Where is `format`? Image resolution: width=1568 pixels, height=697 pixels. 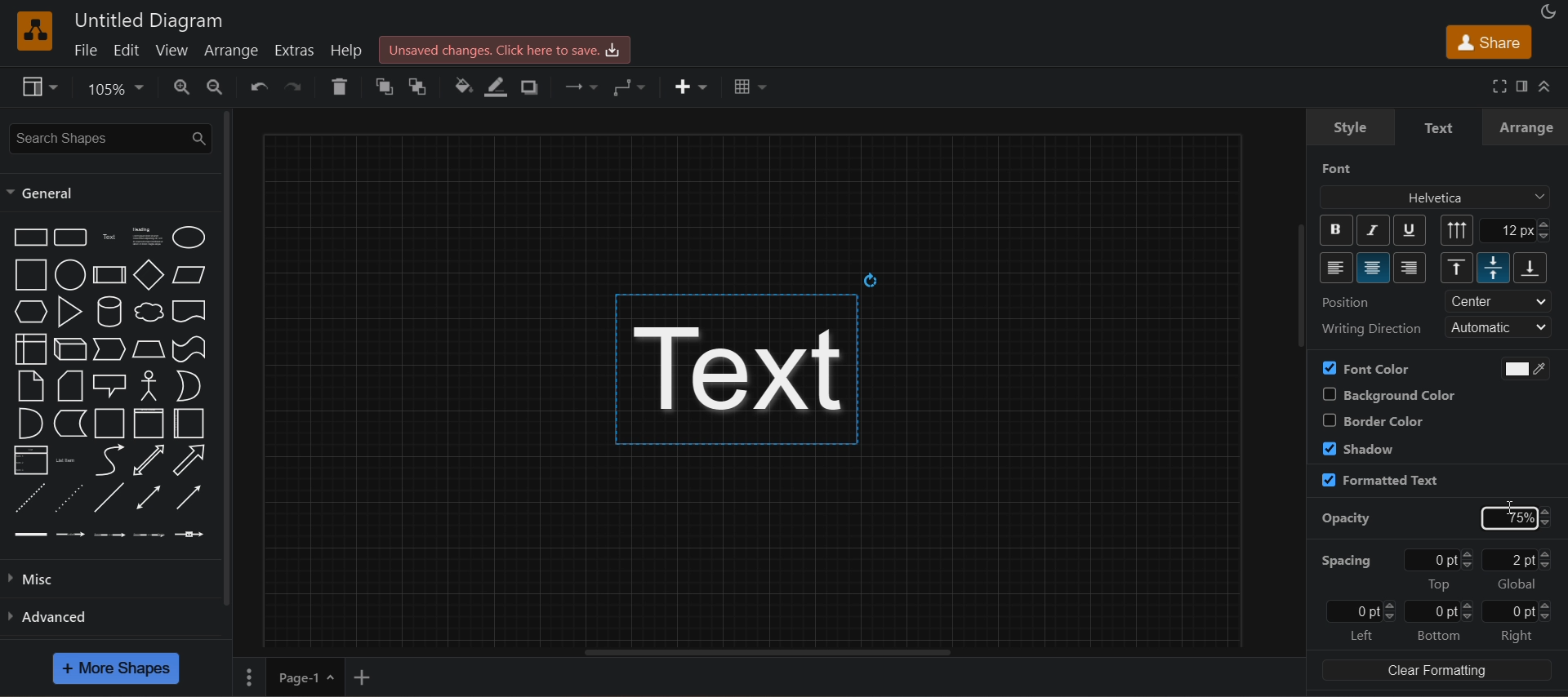 format is located at coordinates (1519, 85).